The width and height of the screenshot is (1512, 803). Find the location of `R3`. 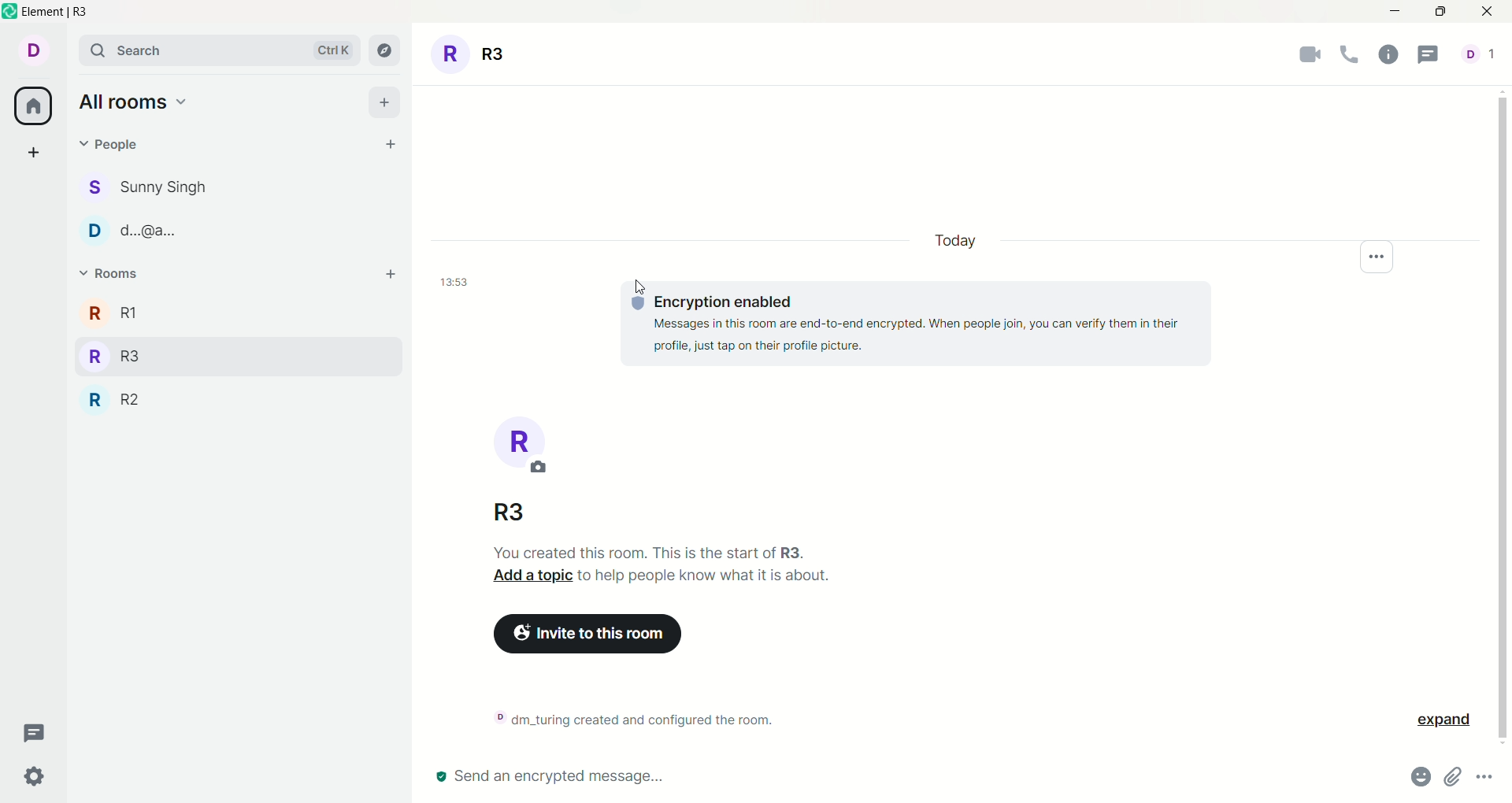

R3 is located at coordinates (474, 54).